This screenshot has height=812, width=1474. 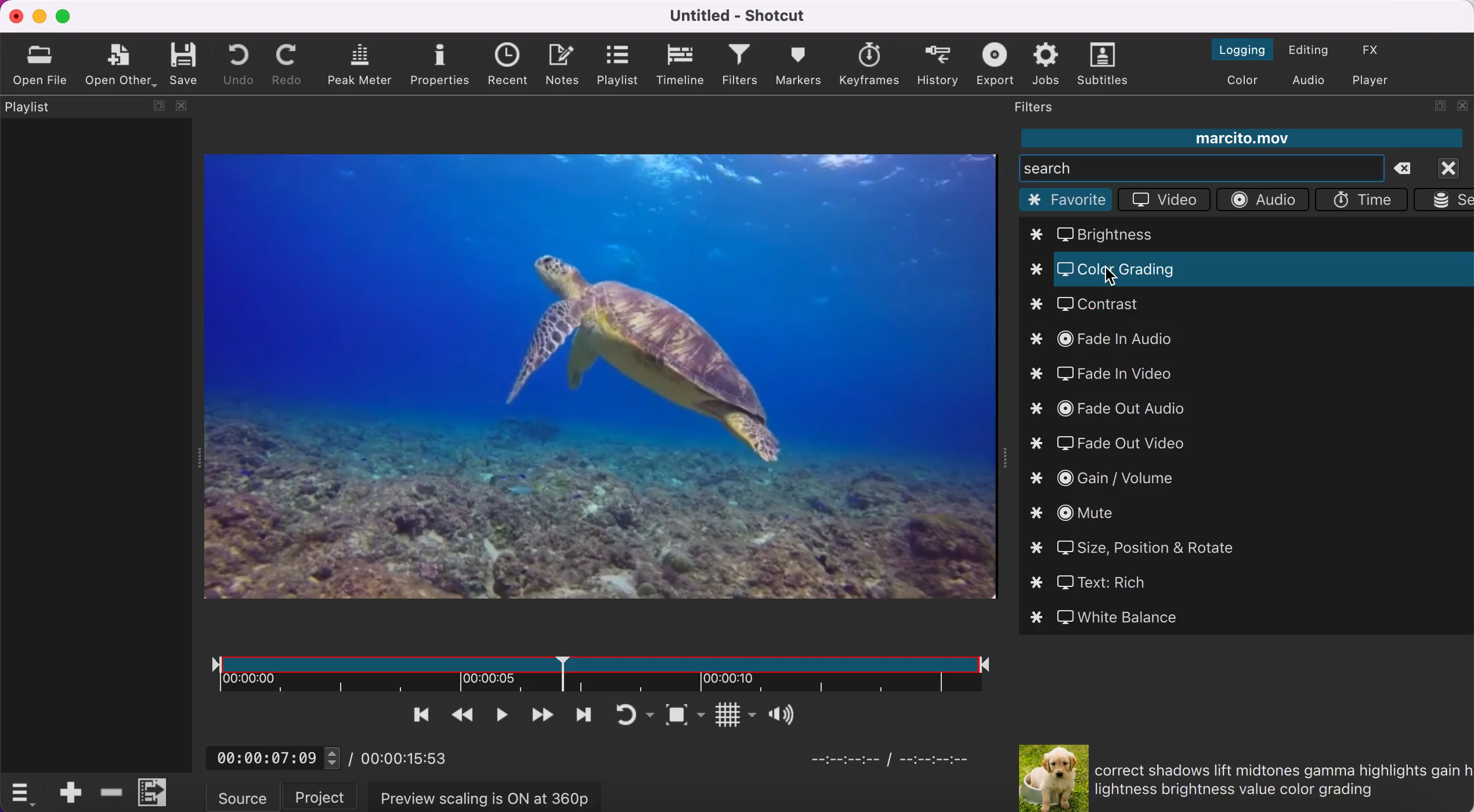 I want to click on peak meter, so click(x=357, y=65).